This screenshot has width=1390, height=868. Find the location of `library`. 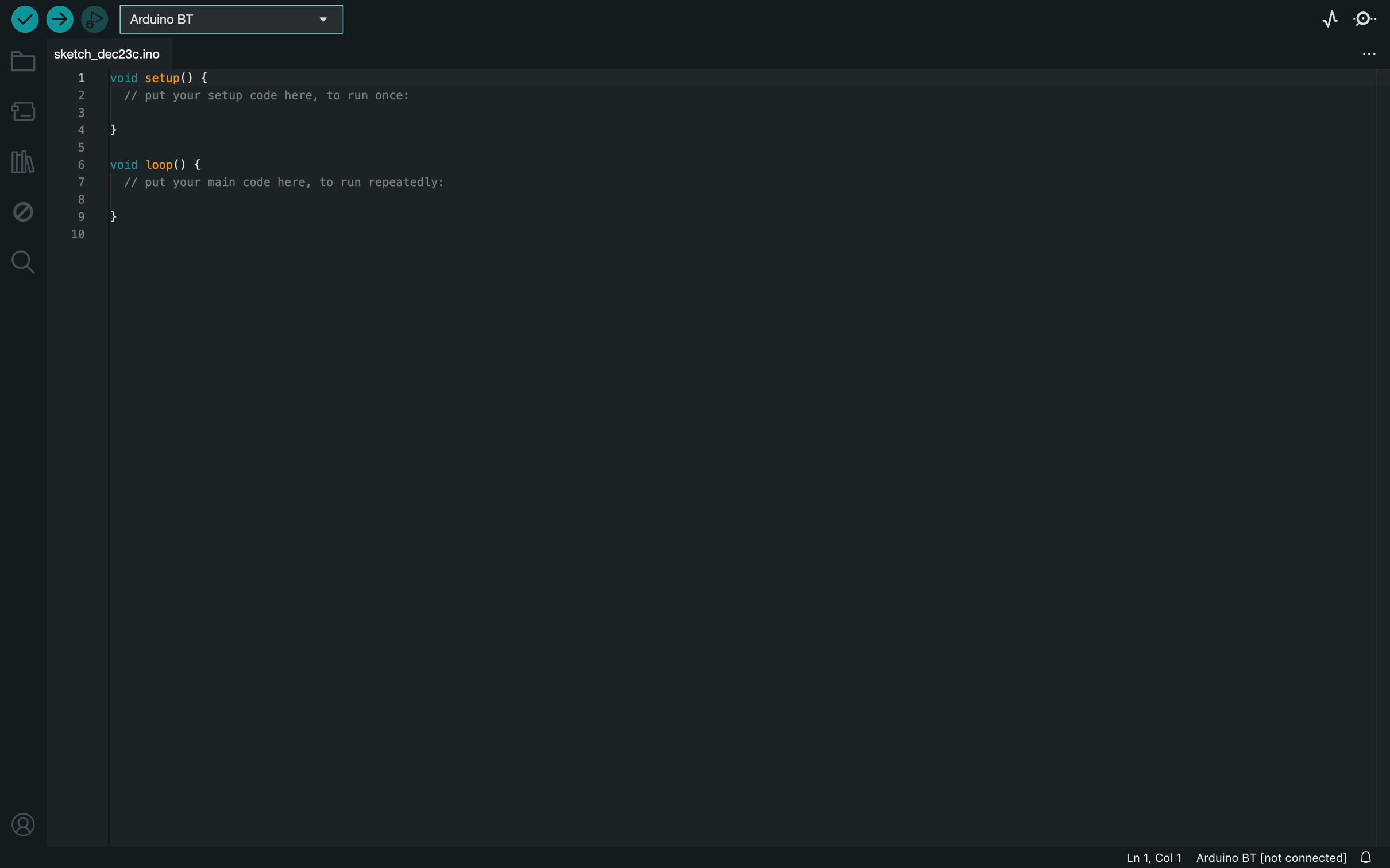

library is located at coordinates (22, 164).